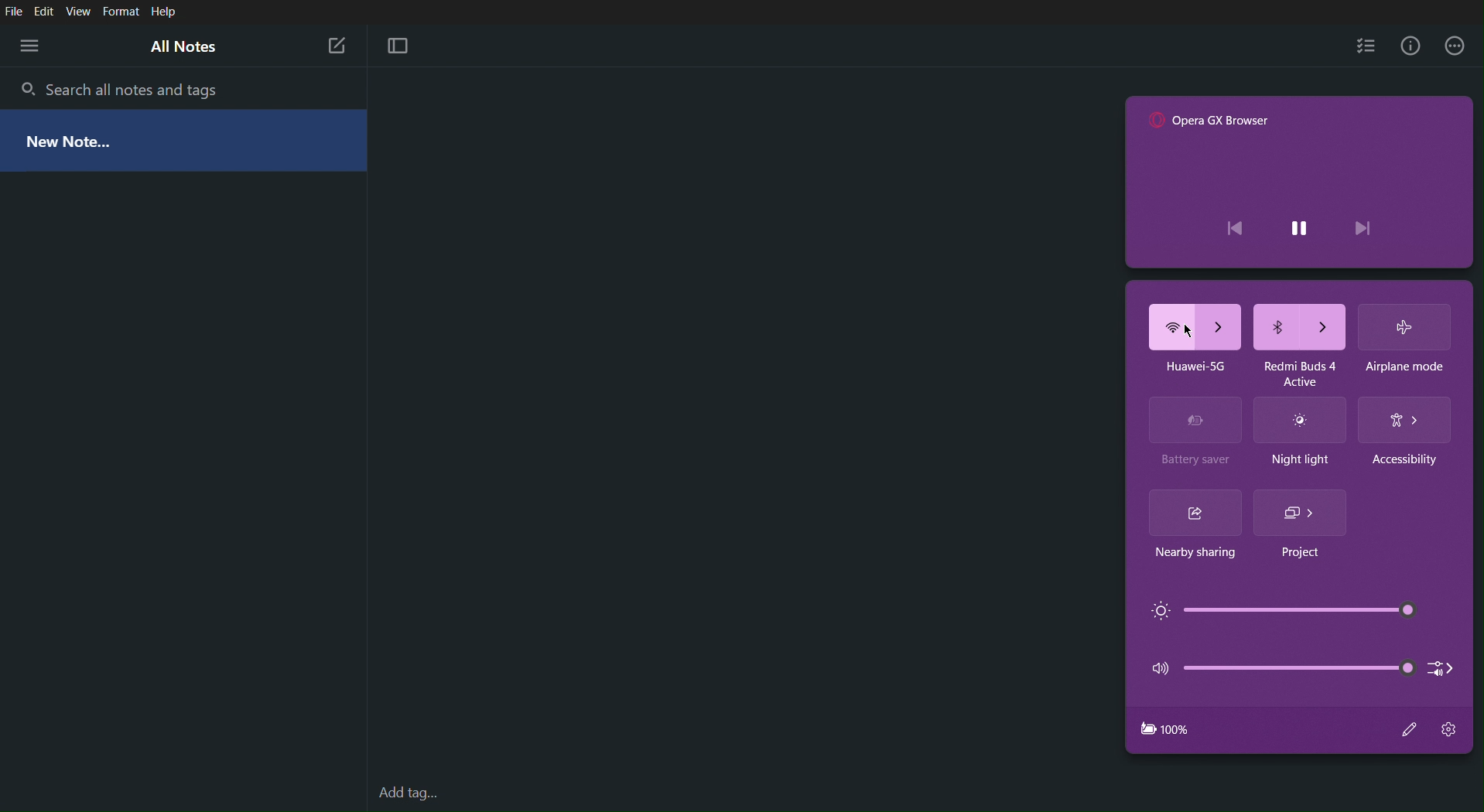 Image resolution: width=1484 pixels, height=812 pixels. What do you see at coordinates (1299, 552) in the screenshot?
I see `Project` at bounding box center [1299, 552].